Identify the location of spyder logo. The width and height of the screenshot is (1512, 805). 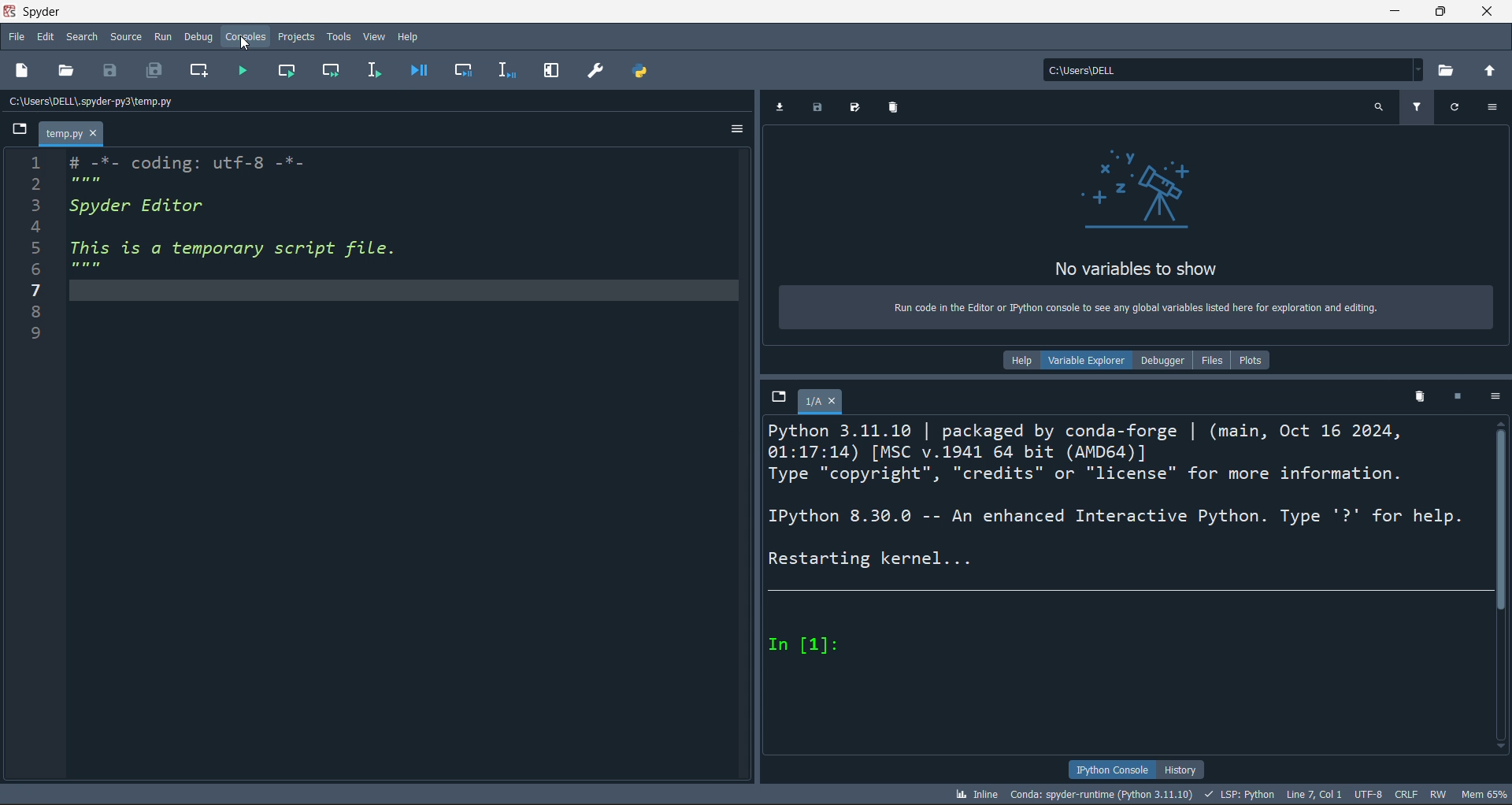
(11, 11).